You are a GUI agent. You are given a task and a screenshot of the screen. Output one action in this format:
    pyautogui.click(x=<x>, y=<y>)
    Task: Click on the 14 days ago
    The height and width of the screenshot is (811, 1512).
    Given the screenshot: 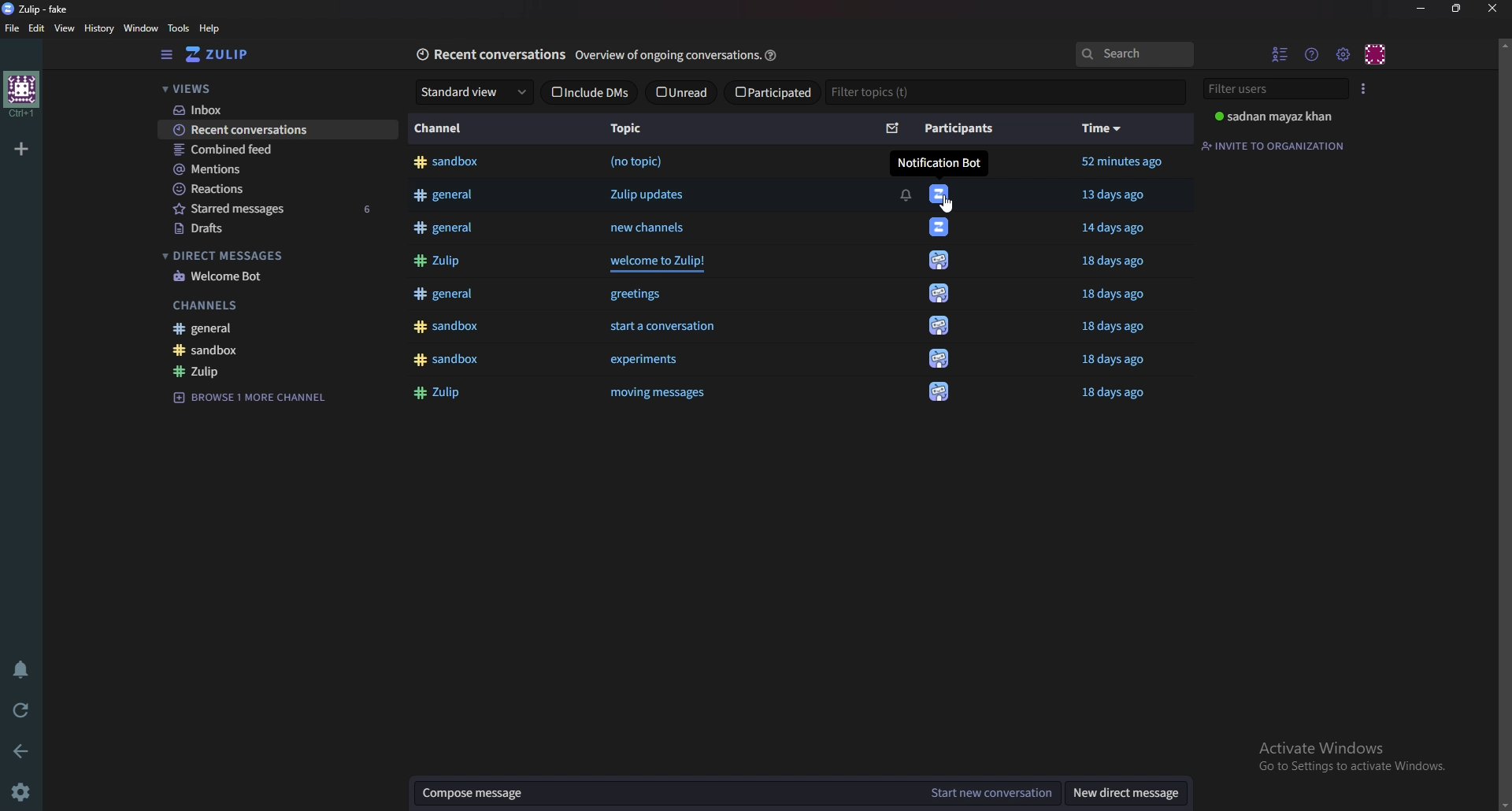 What is the action you would take?
    pyautogui.click(x=1117, y=228)
    